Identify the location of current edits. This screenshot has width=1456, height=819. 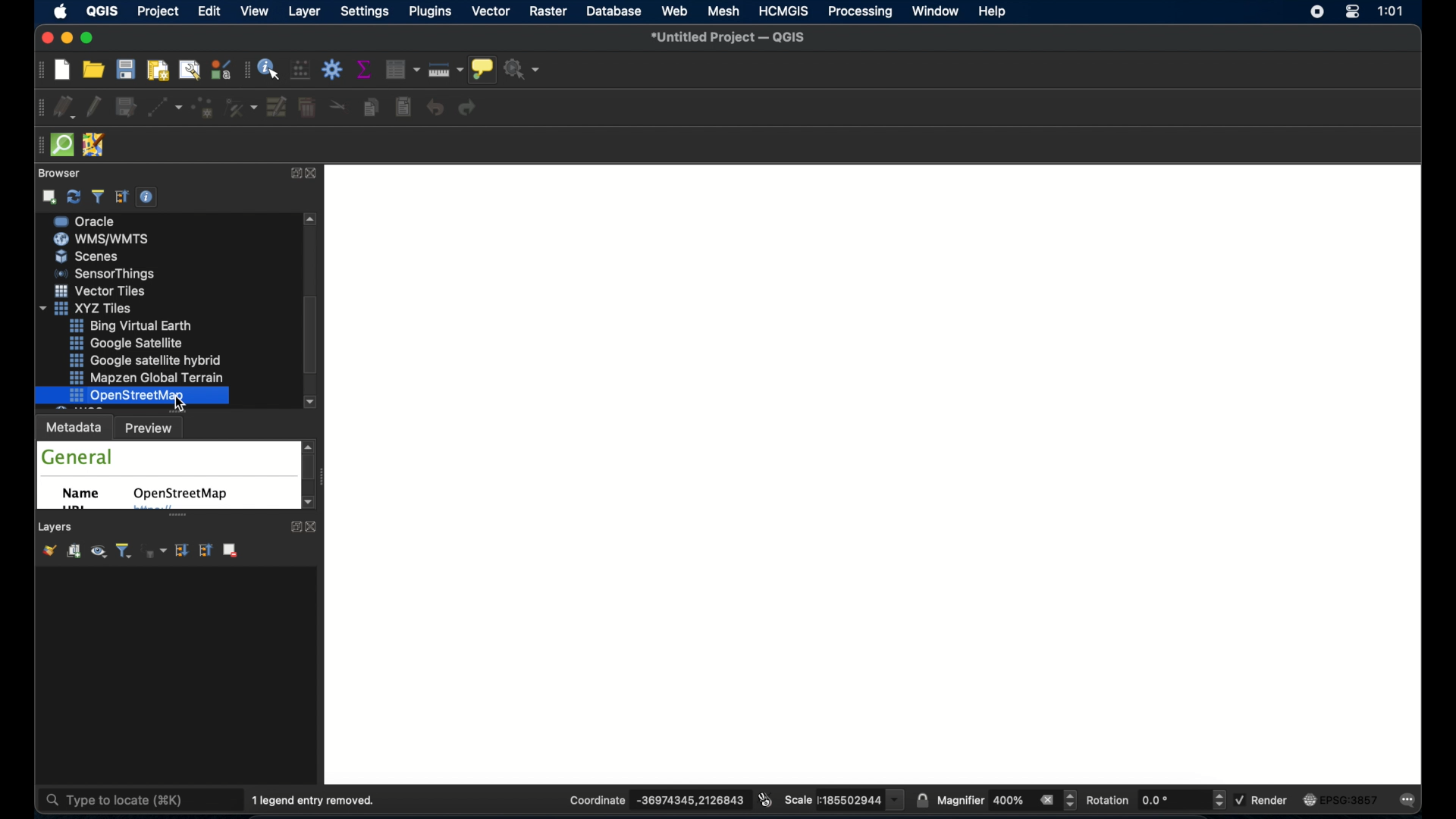
(64, 108).